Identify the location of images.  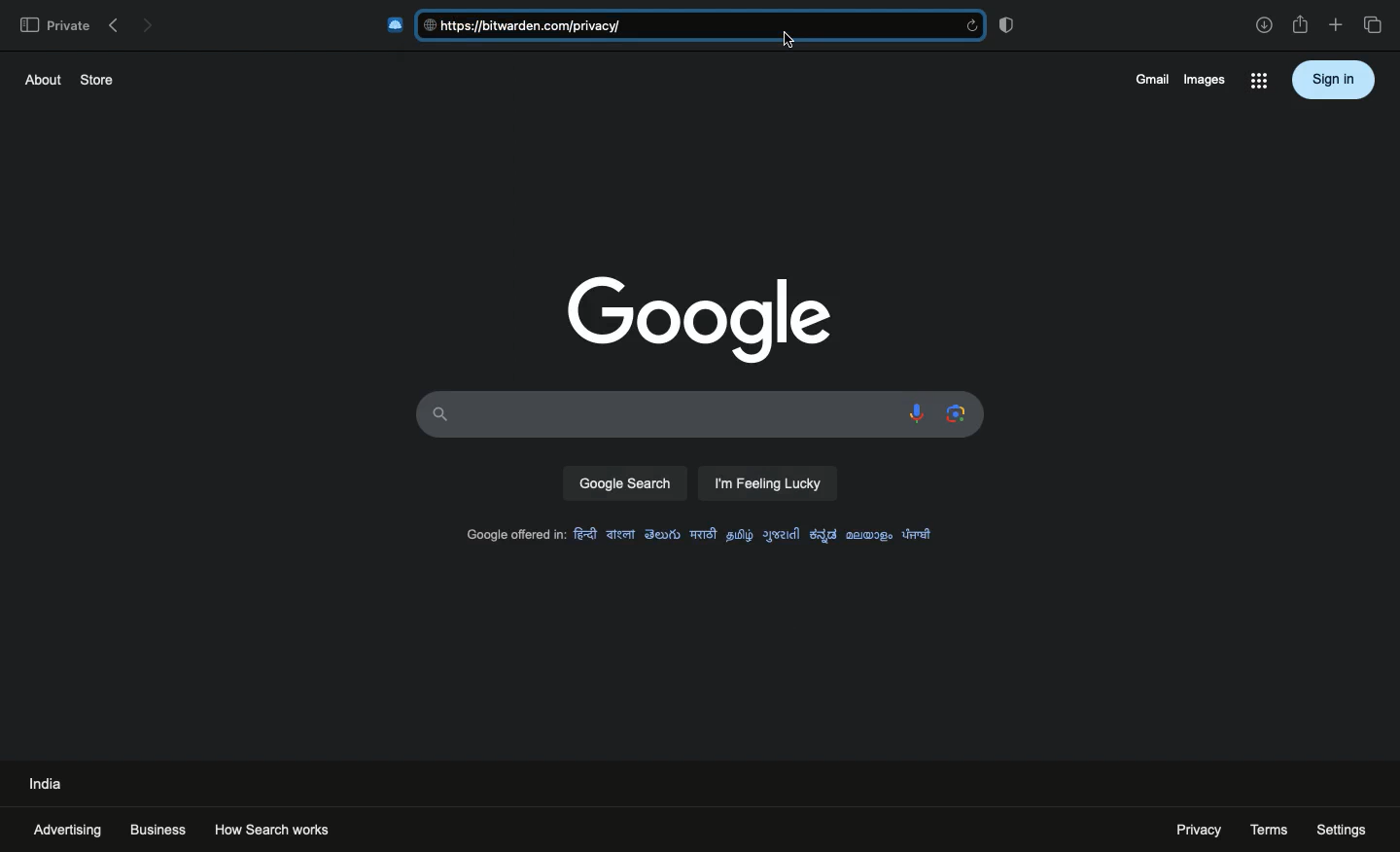
(1204, 79).